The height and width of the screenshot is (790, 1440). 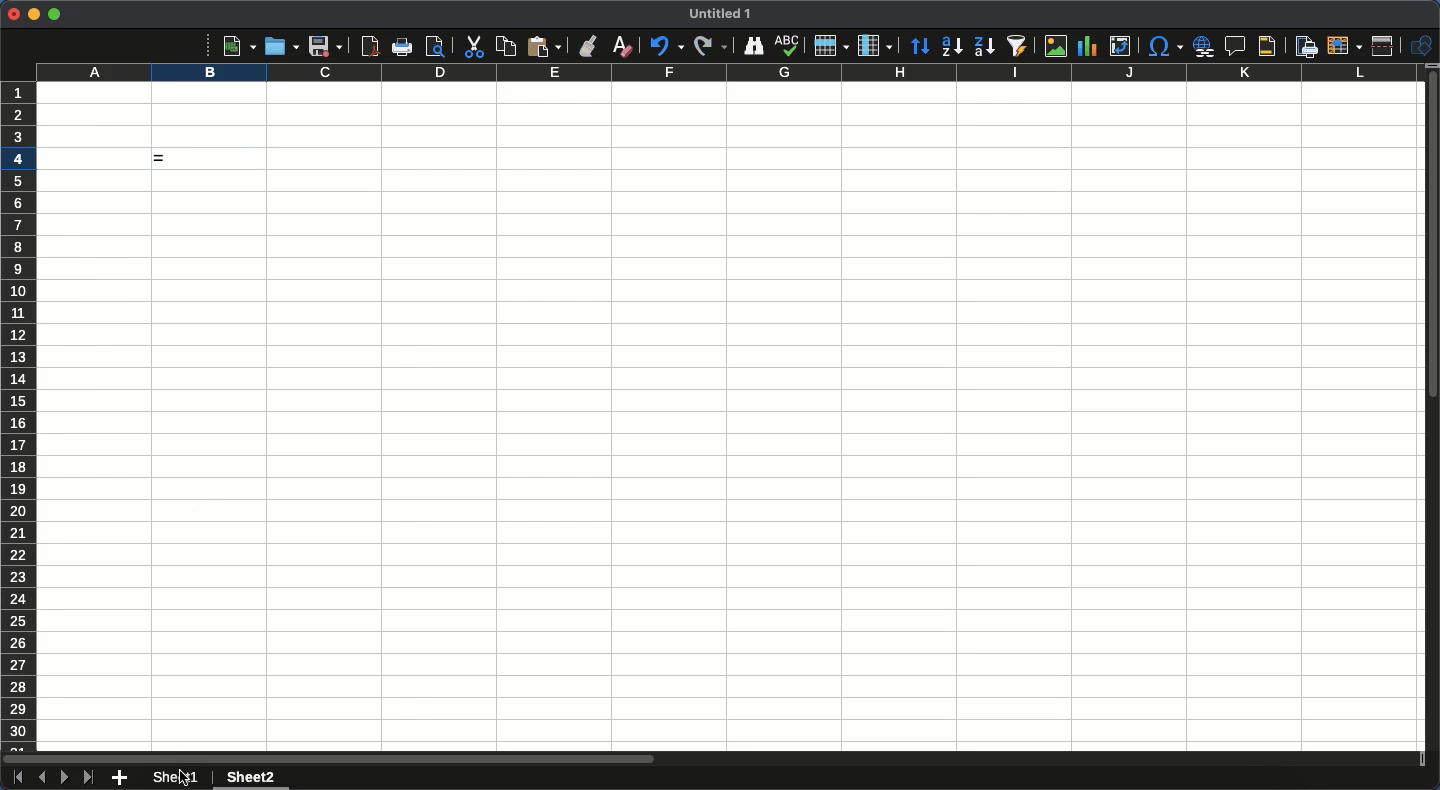 I want to click on Special characters, so click(x=1164, y=46).